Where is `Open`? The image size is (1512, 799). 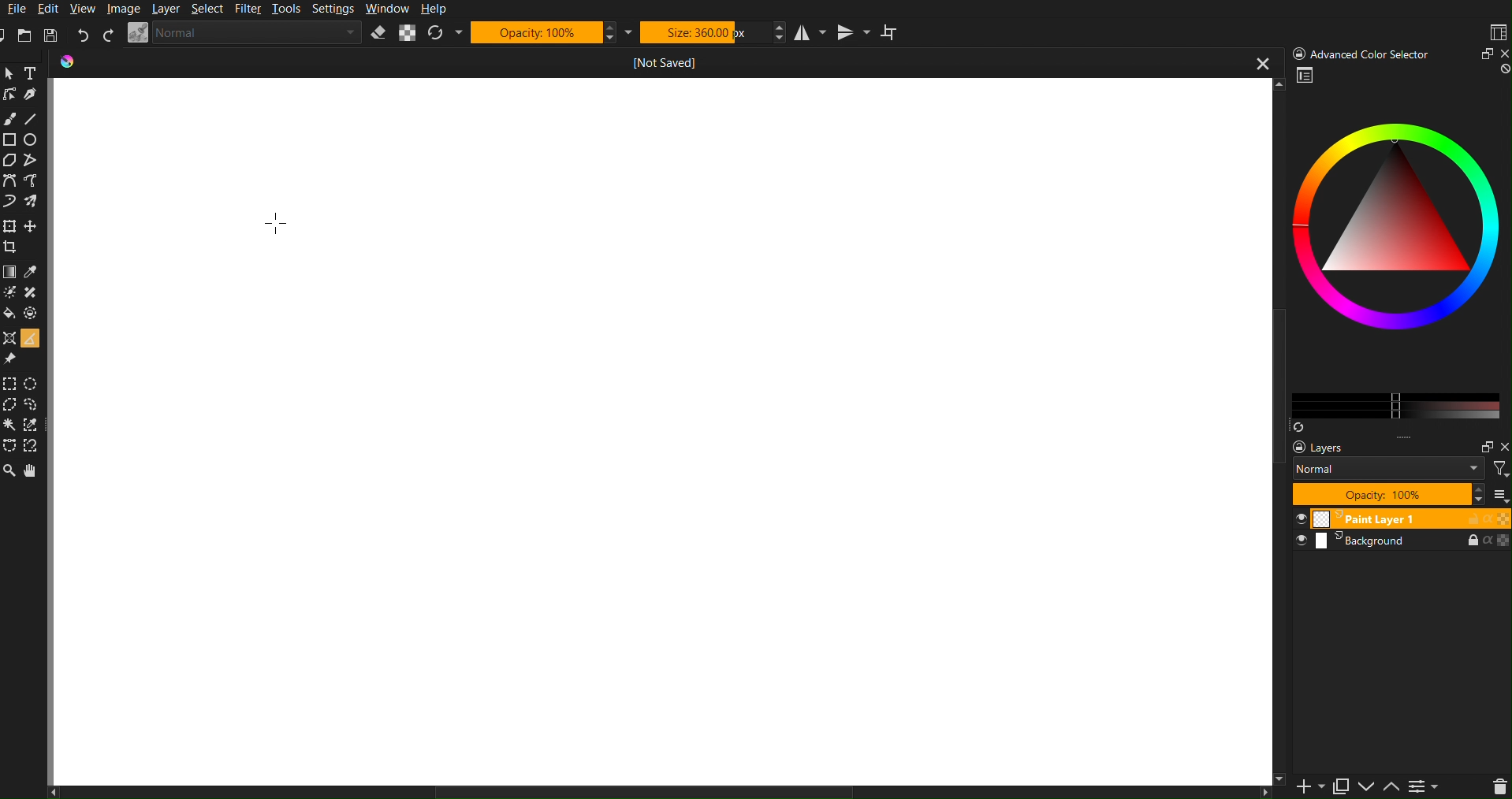 Open is located at coordinates (27, 36).